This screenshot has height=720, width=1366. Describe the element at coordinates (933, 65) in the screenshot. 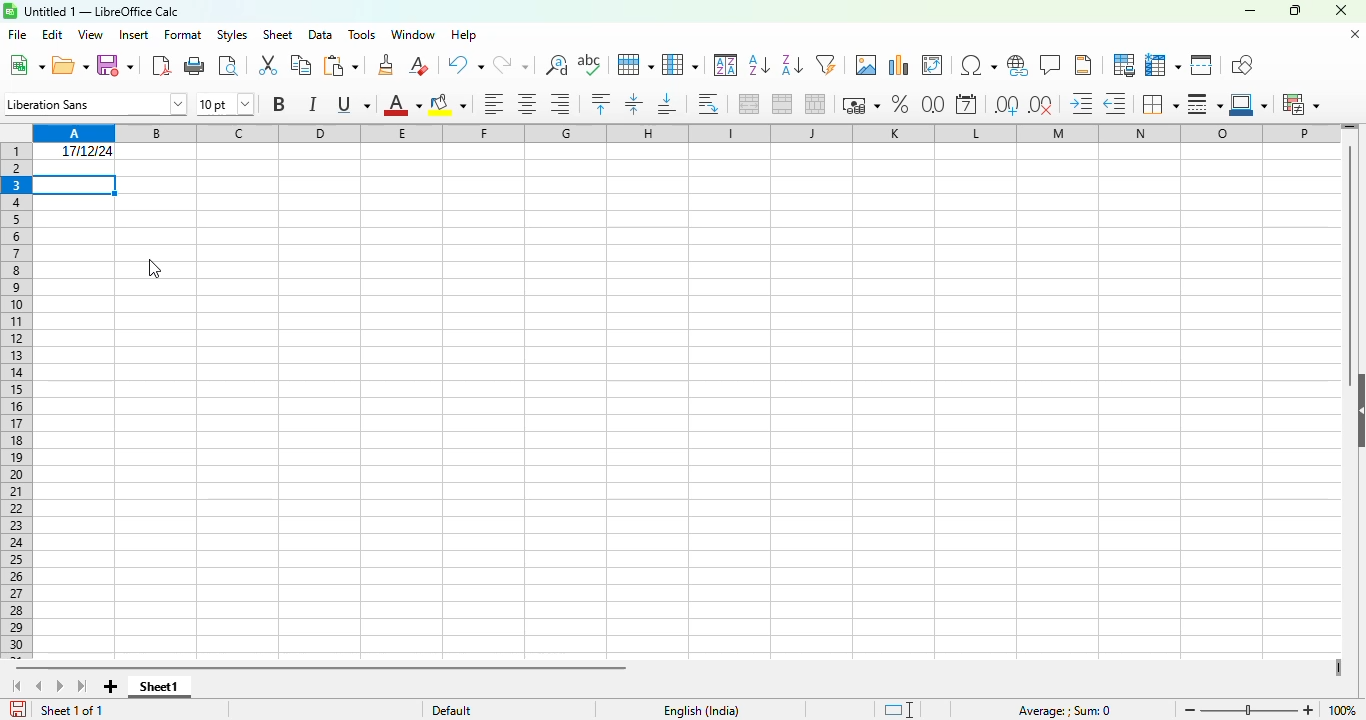

I see `insert or edit pivot table` at that location.